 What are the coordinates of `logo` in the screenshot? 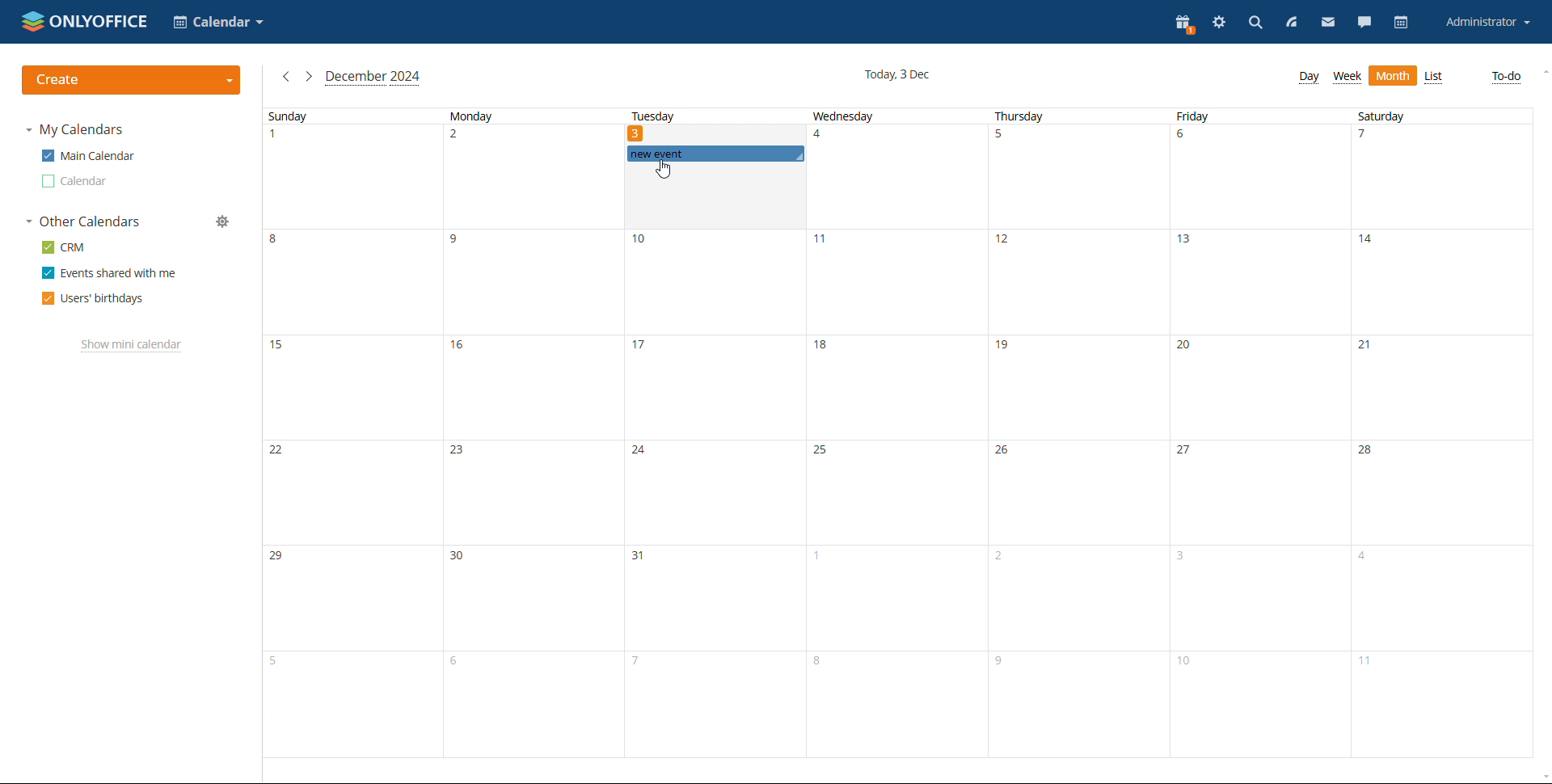 It's located at (85, 20).